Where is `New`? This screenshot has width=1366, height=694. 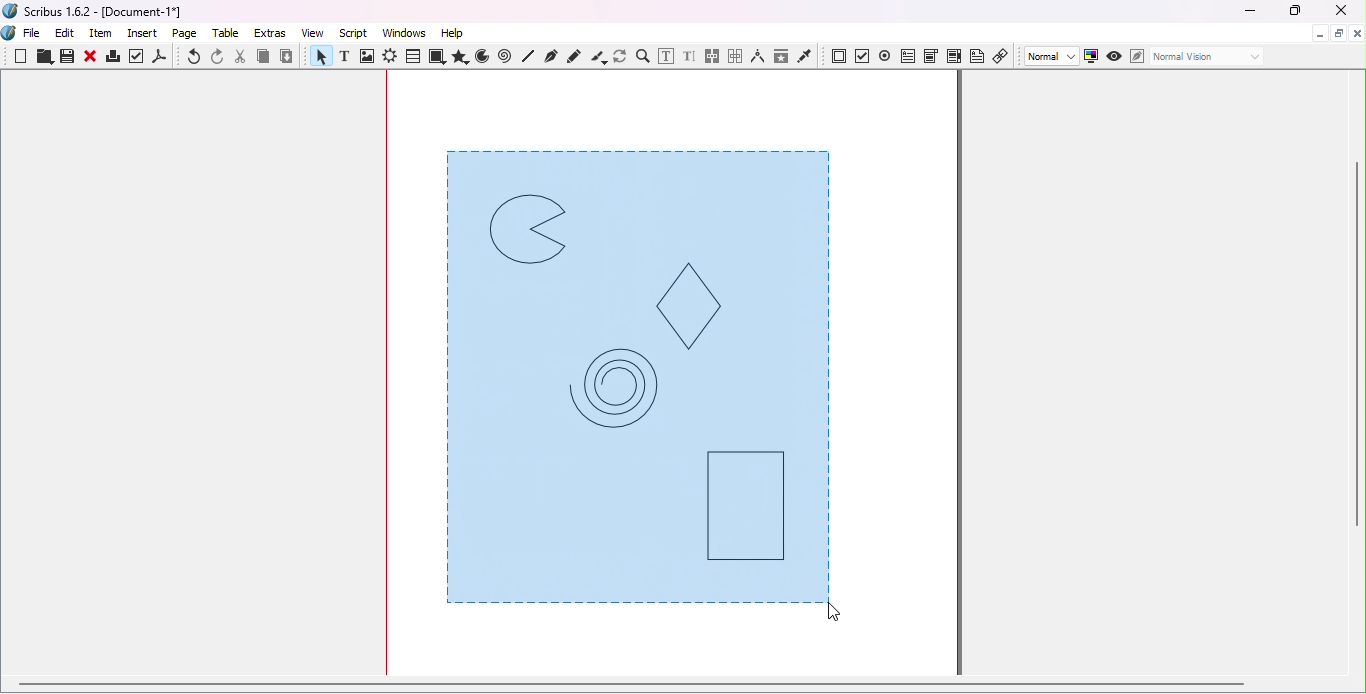
New is located at coordinates (21, 56).